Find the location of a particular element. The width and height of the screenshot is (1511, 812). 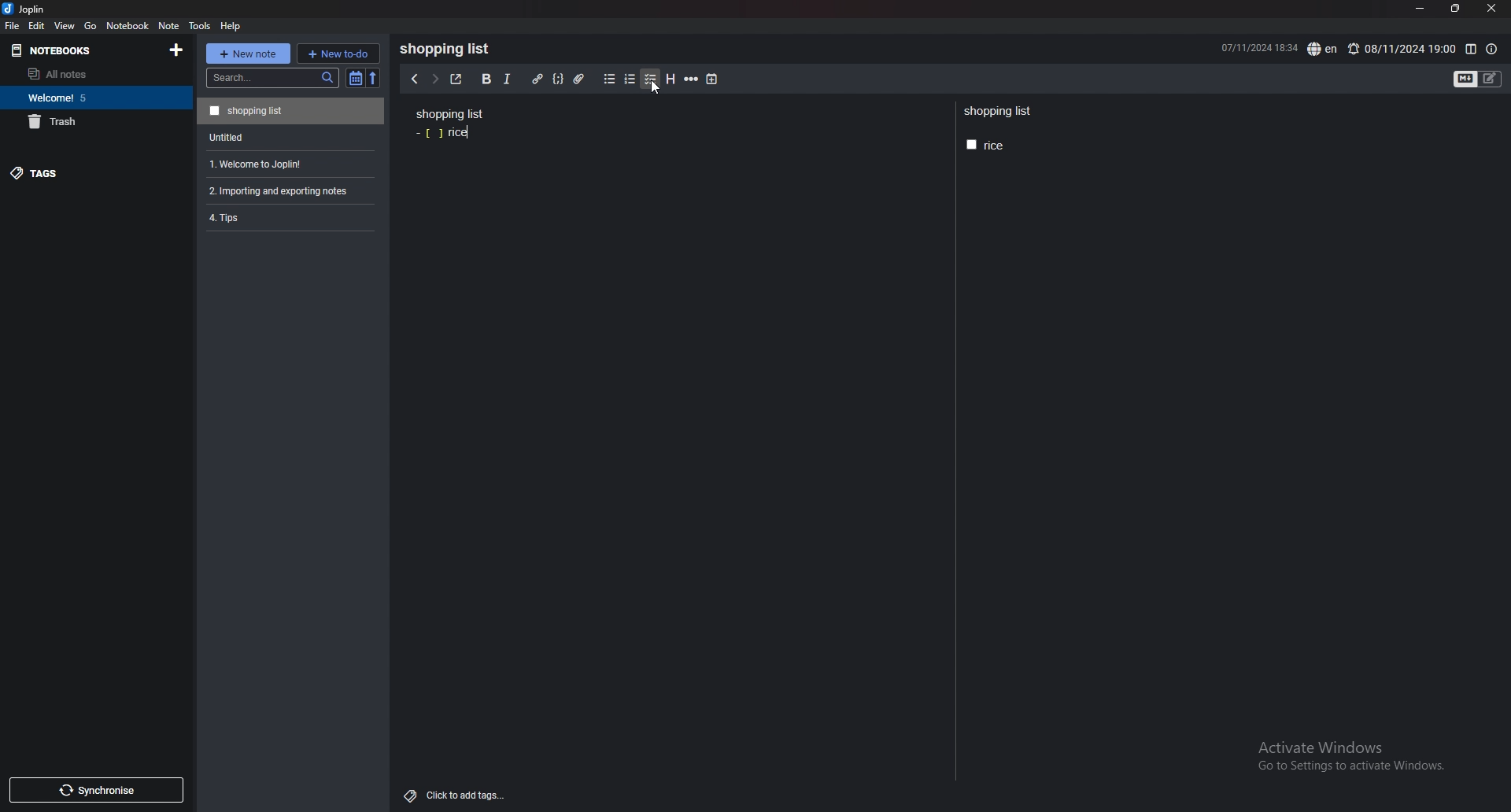

trash is located at coordinates (93, 121).